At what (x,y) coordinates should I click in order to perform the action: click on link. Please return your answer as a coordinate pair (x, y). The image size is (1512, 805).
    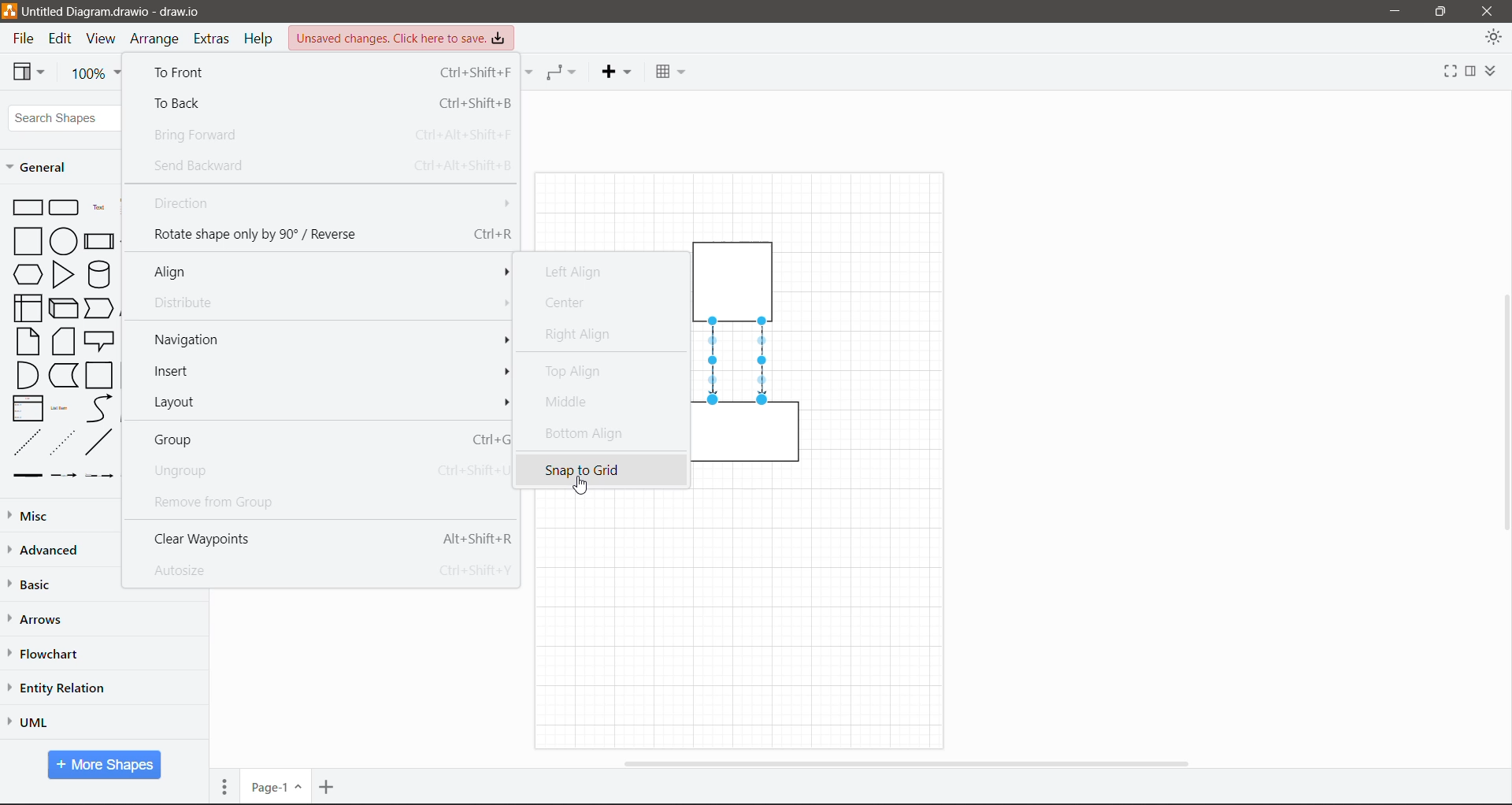
    Looking at the image, I should click on (24, 476).